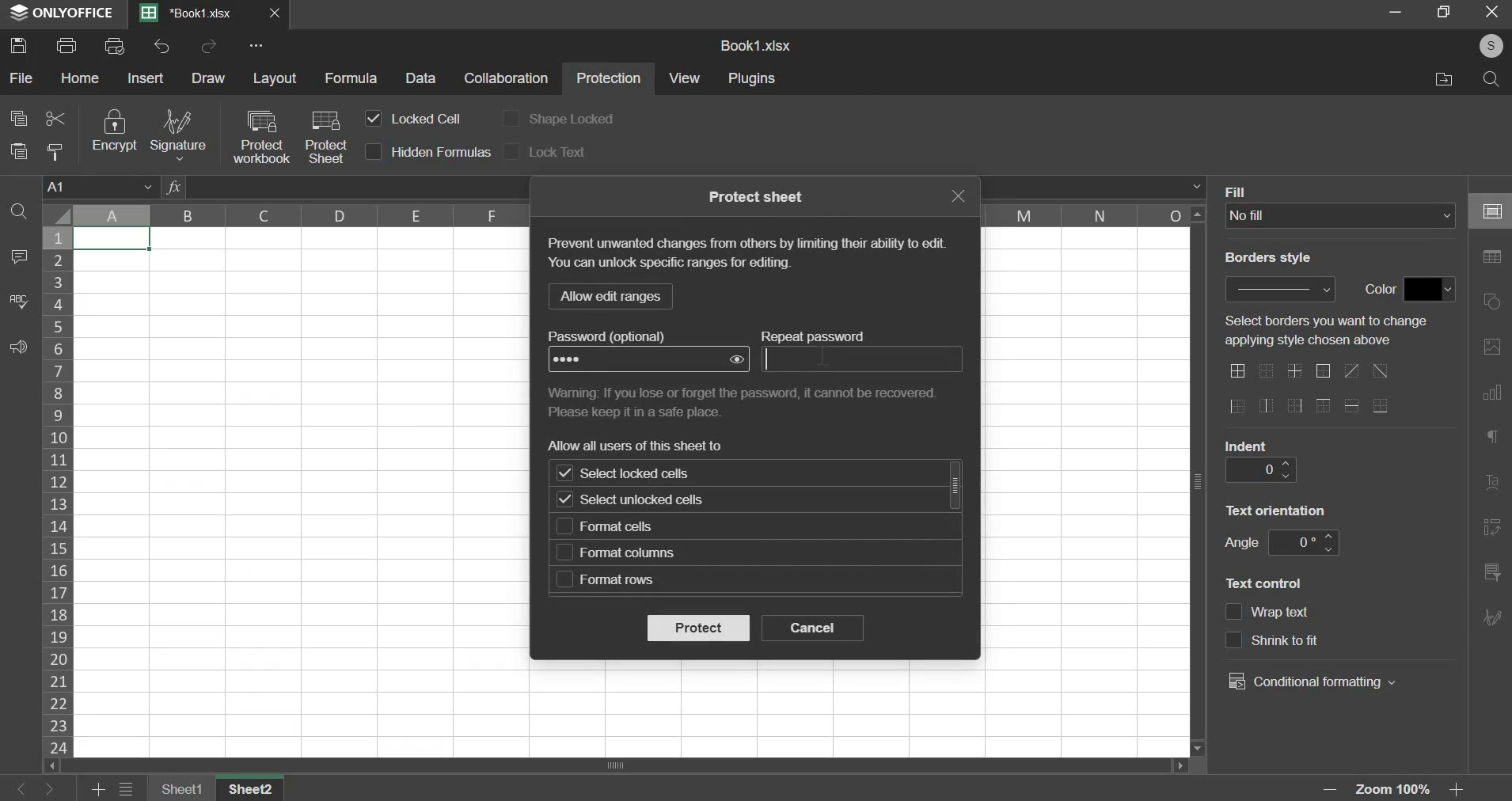 The height and width of the screenshot is (801, 1512). Describe the element at coordinates (1492, 484) in the screenshot. I see `right side bar` at that location.